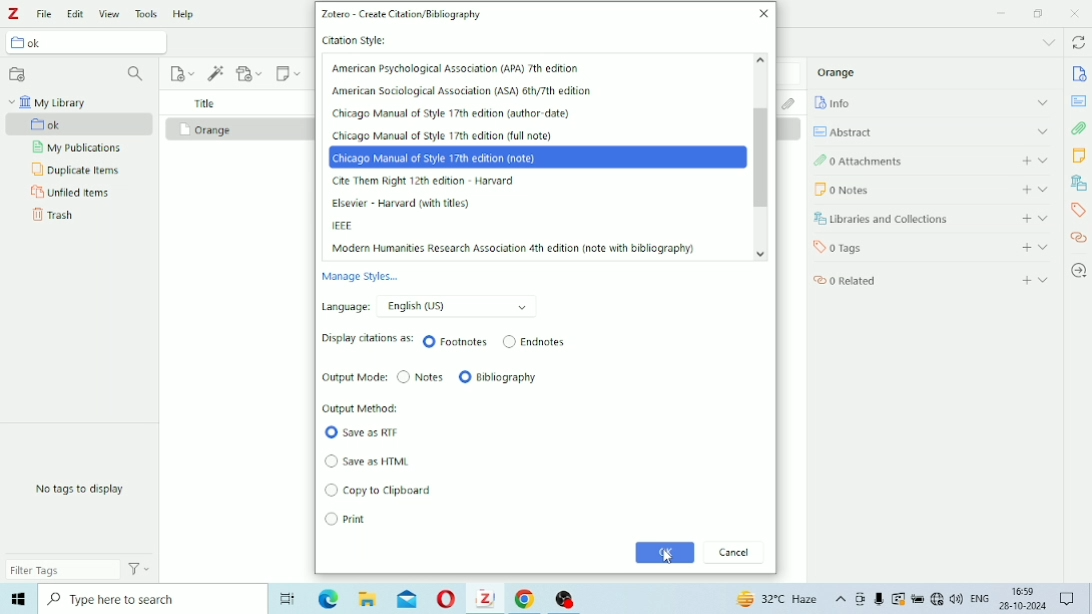 The image size is (1092, 614). Describe the element at coordinates (763, 14) in the screenshot. I see `Close` at that location.